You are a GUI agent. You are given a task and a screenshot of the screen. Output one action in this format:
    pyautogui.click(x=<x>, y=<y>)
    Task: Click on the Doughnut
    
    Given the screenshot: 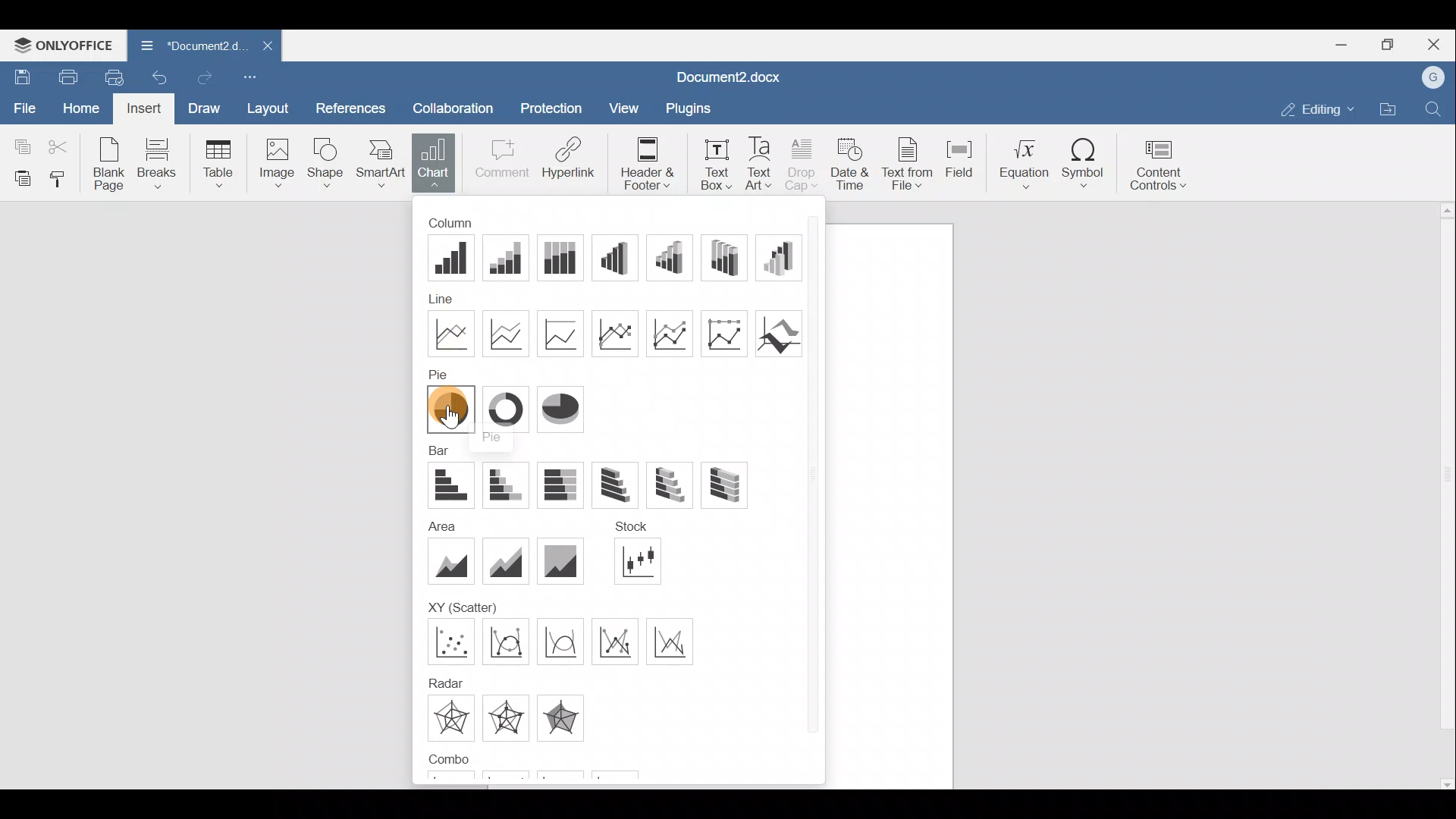 What is the action you would take?
    pyautogui.click(x=504, y=406)
    